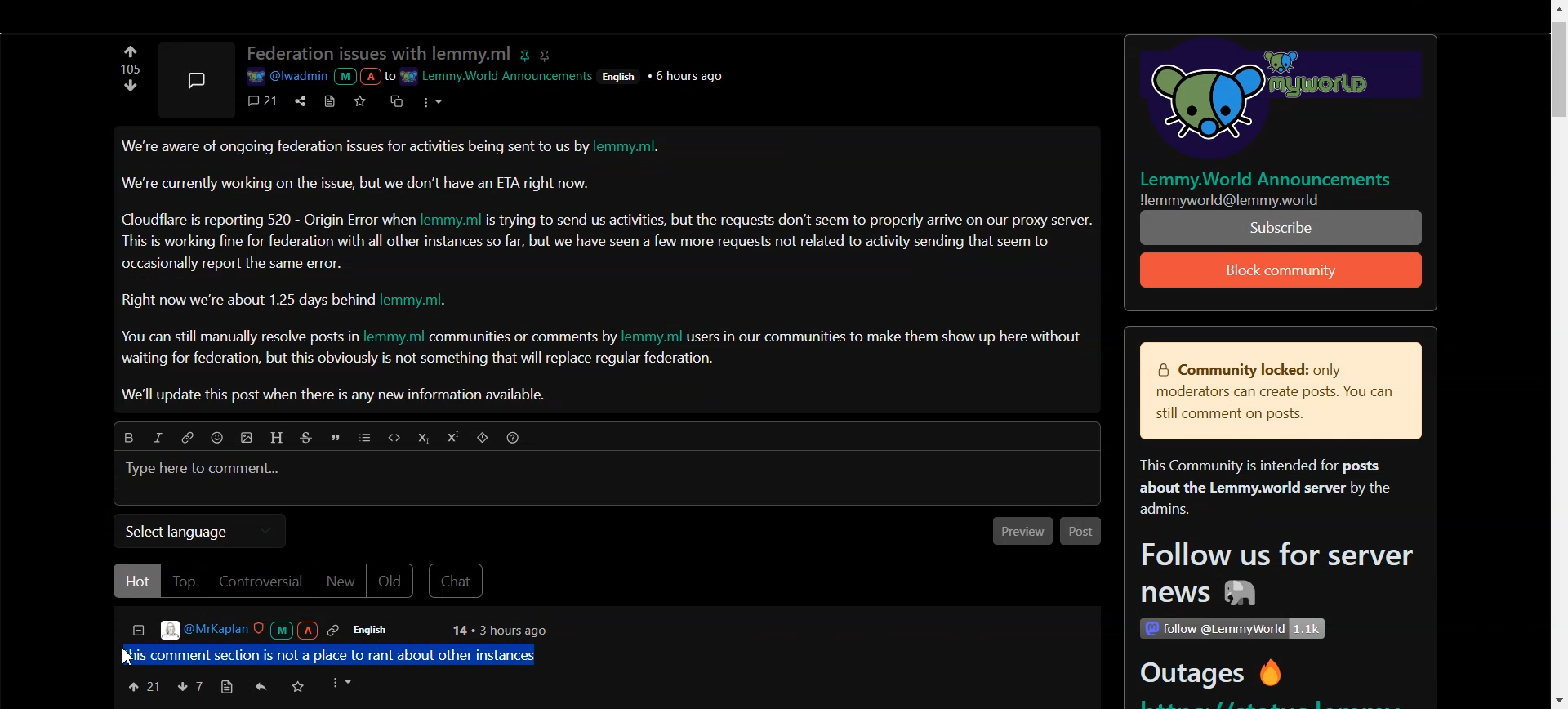 The width and height of the screenshot is (1568, 709). I want to click on lemmy.ml., so click(423, 301).